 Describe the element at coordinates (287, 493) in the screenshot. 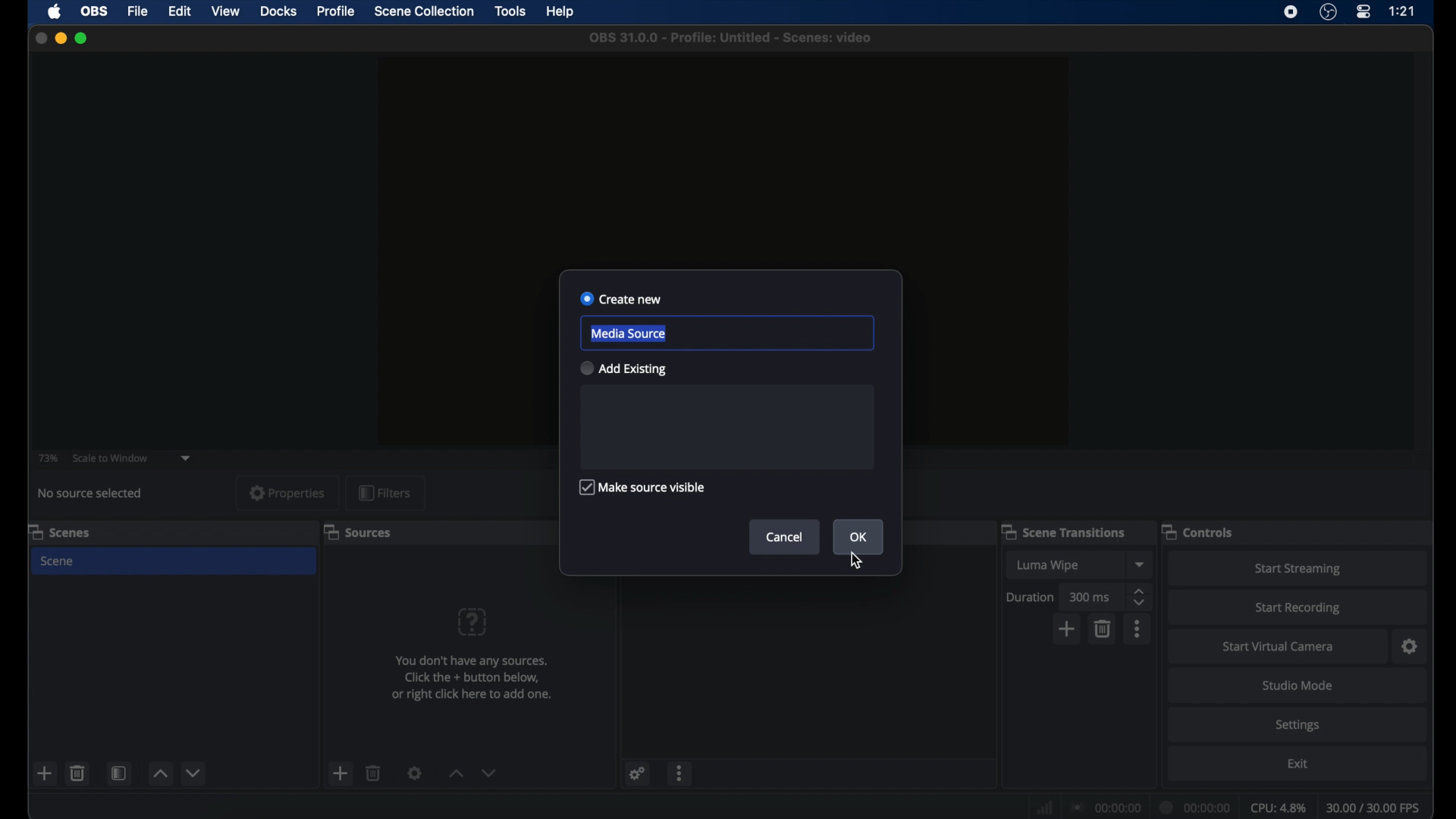

I see `properties` at that location.